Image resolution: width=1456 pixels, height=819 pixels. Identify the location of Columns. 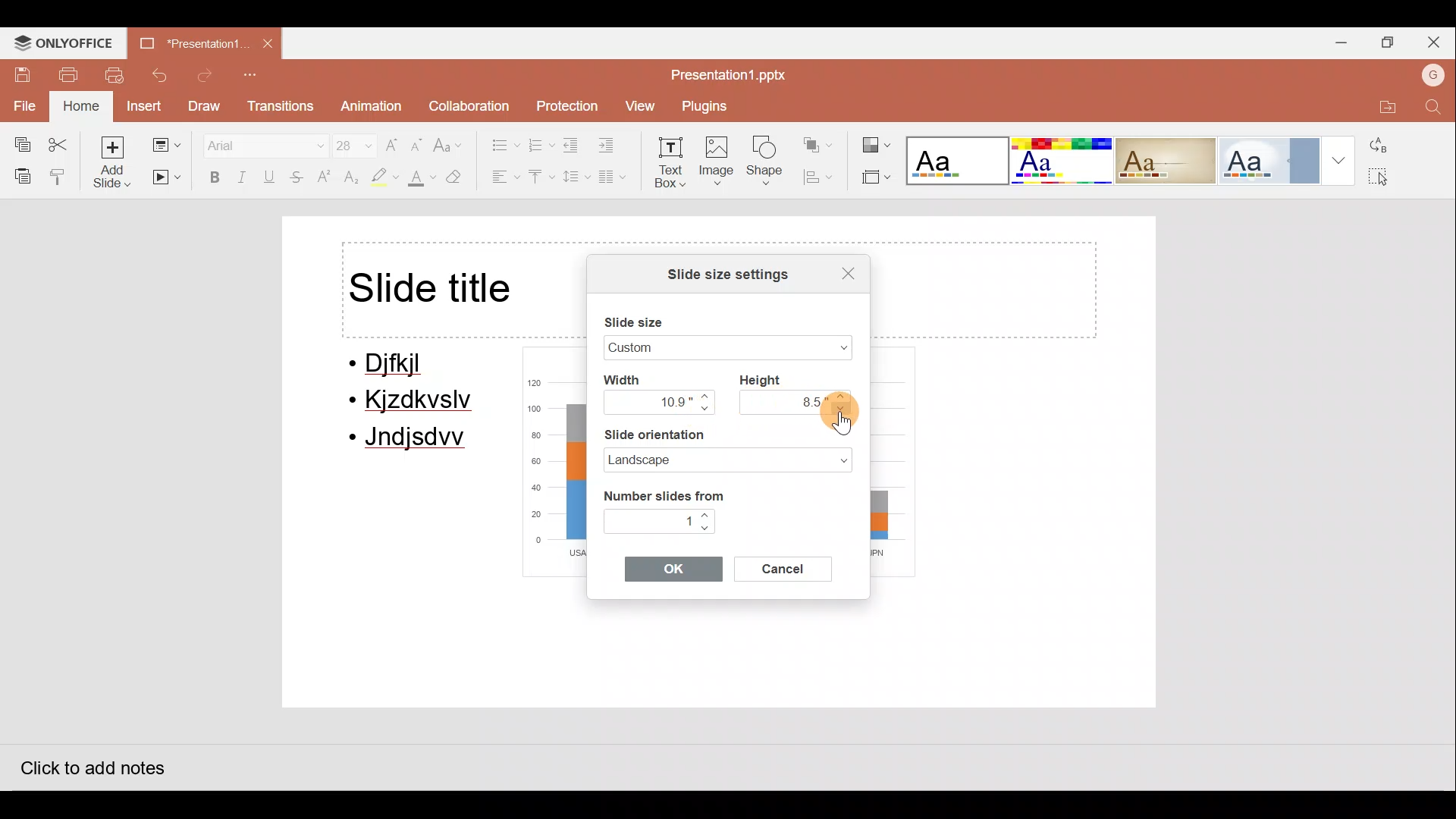
(618, 180).